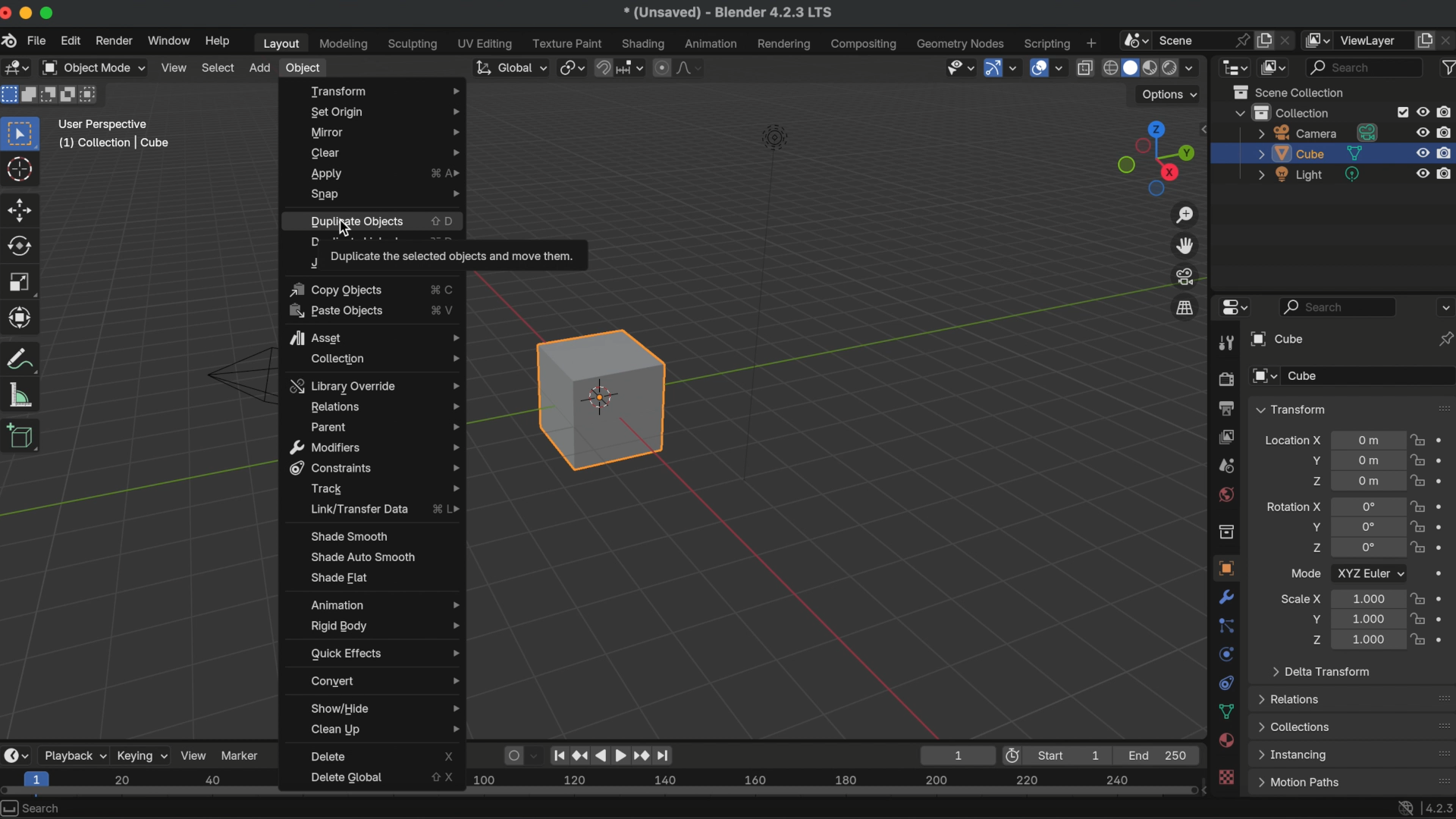 This screenshot has width=1456, height=819. Describe the element at coordinates (243, 754) in the screenshot. I see `marker` at that location.